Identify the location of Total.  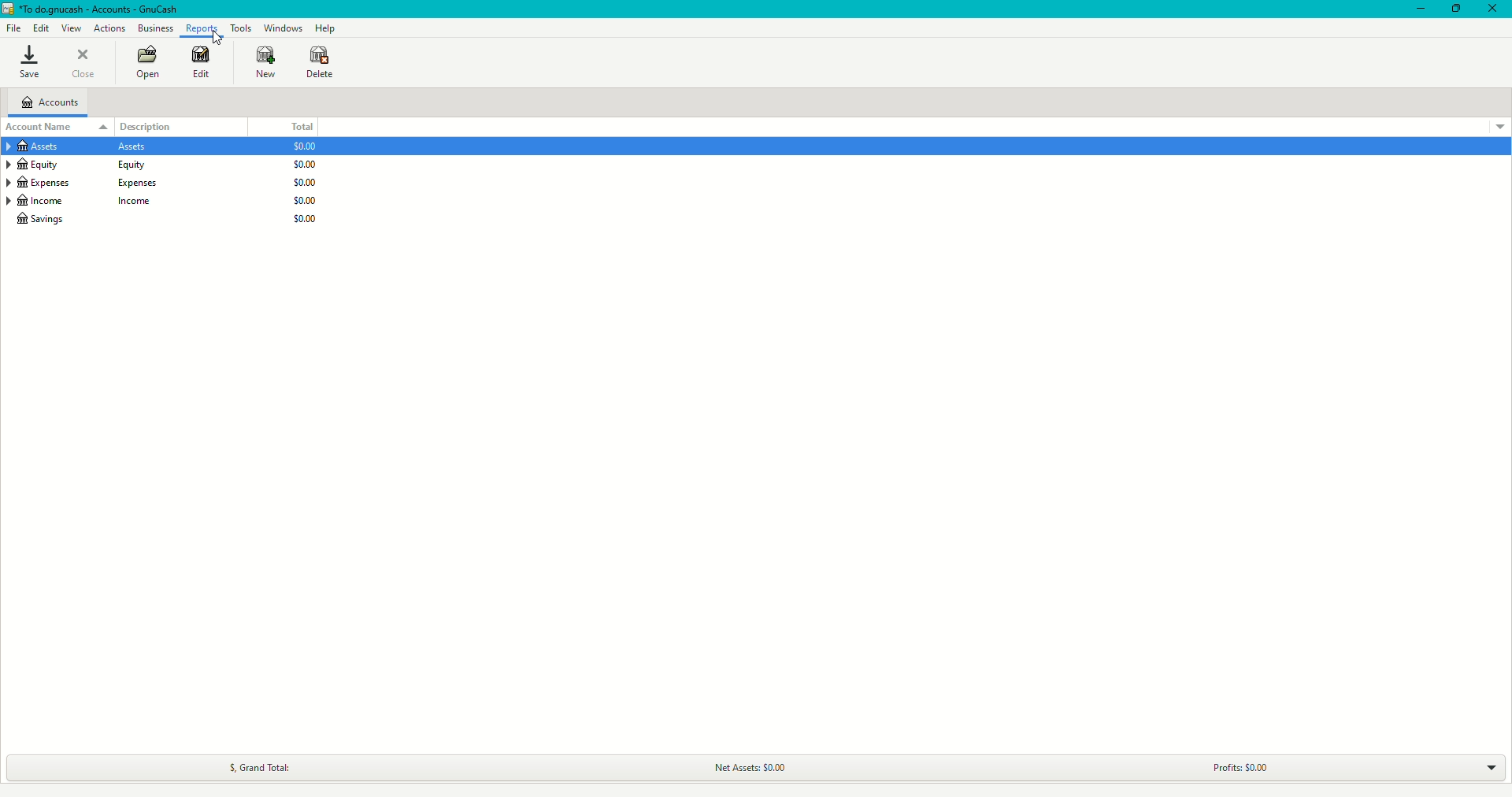
(301, 123).